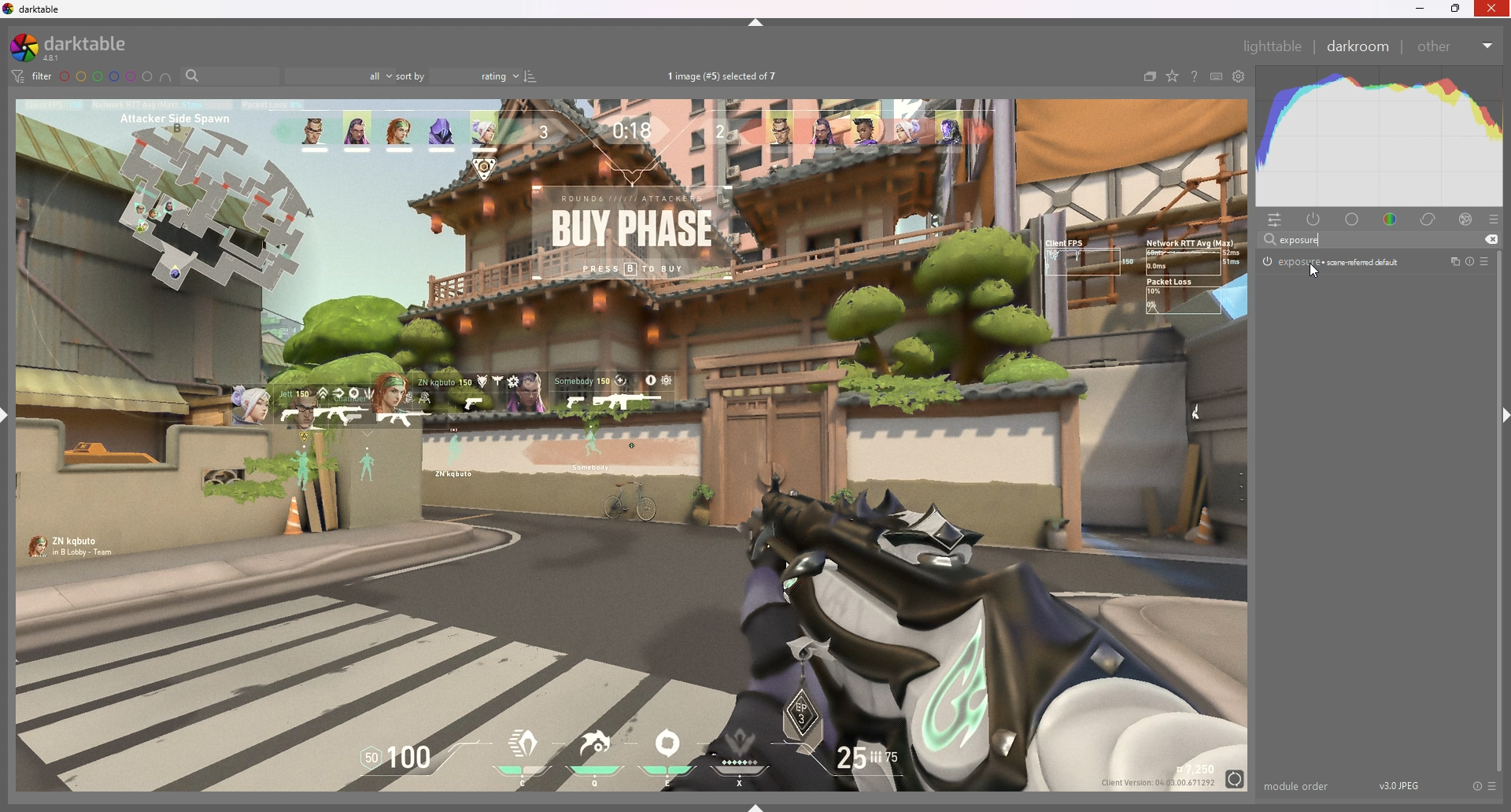 The image size is (1511, 812). I want to click on lighttable, so click(1273, 46).